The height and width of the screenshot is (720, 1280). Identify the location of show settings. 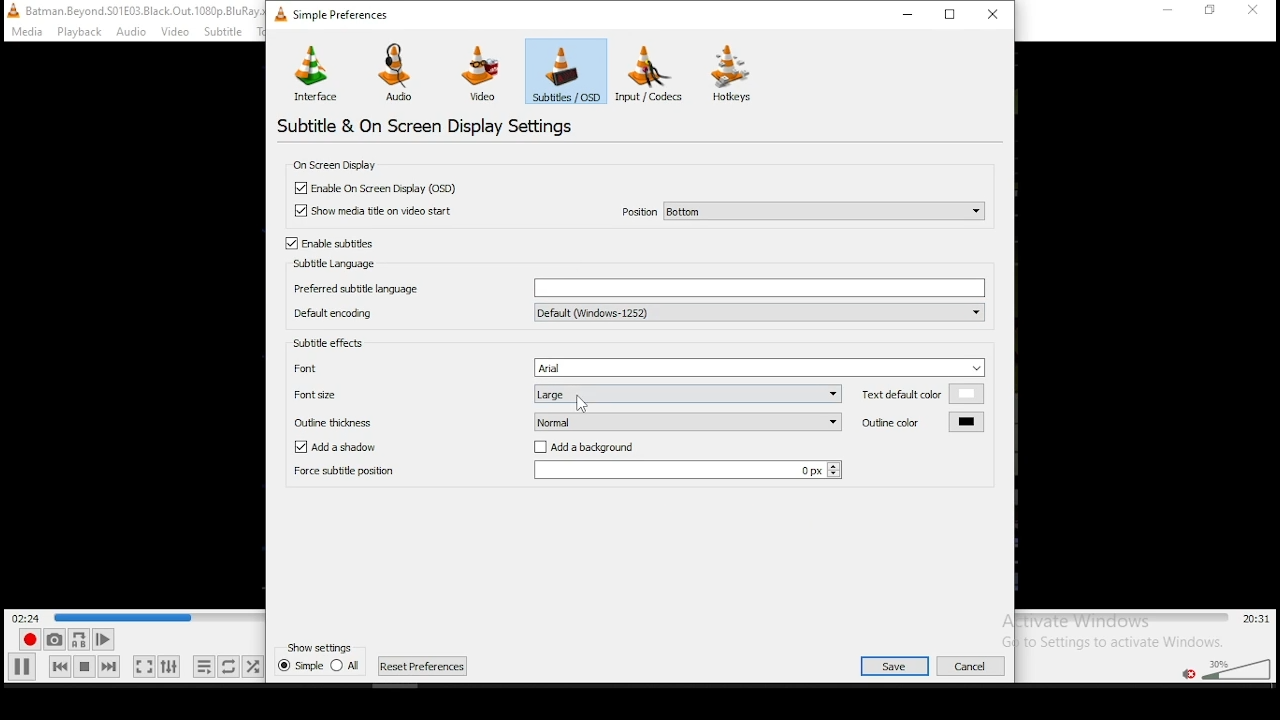
(322, 647).